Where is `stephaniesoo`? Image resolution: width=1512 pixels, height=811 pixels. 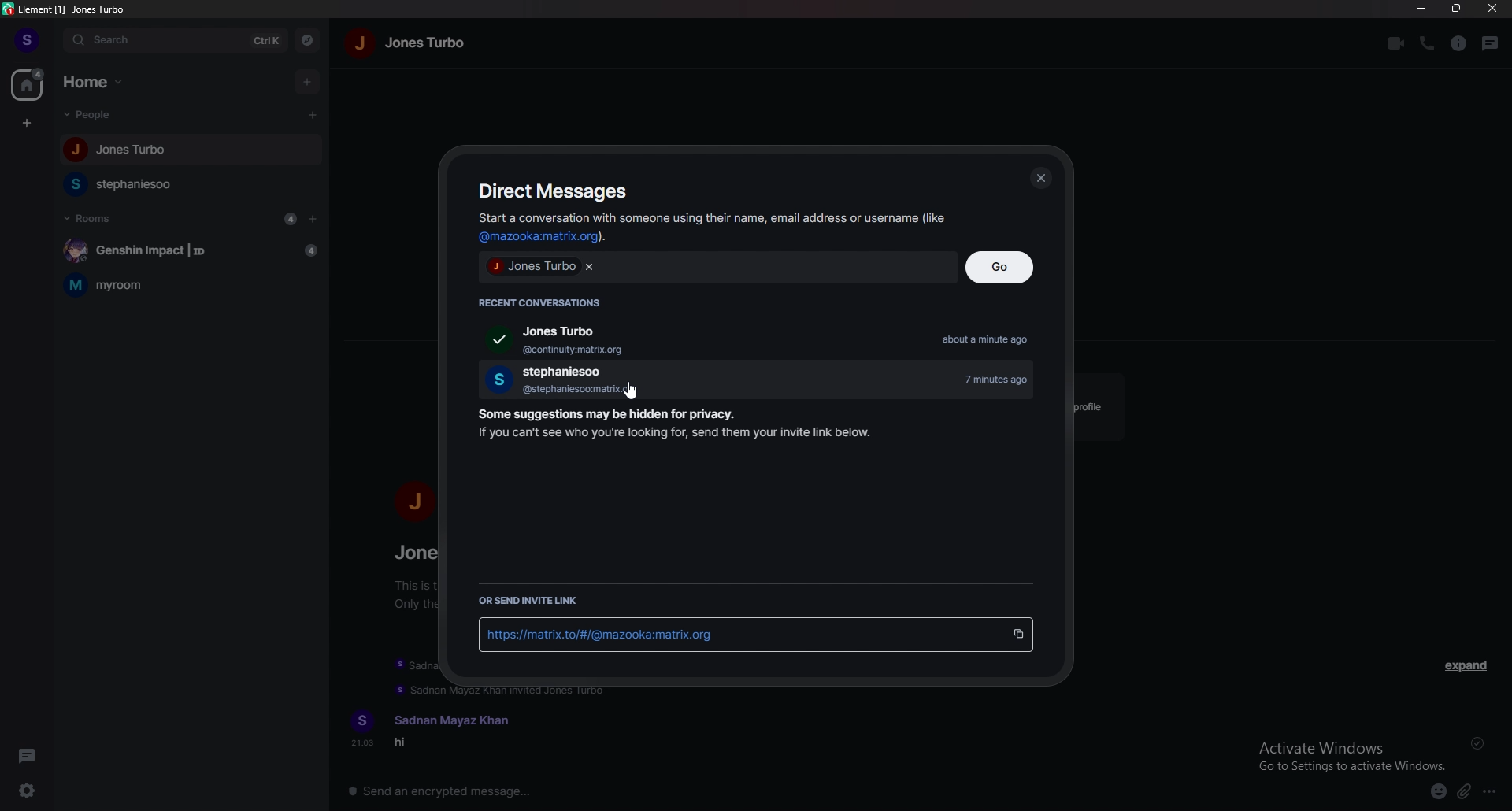
stephaniesoo is located at coordinates (135, 185).